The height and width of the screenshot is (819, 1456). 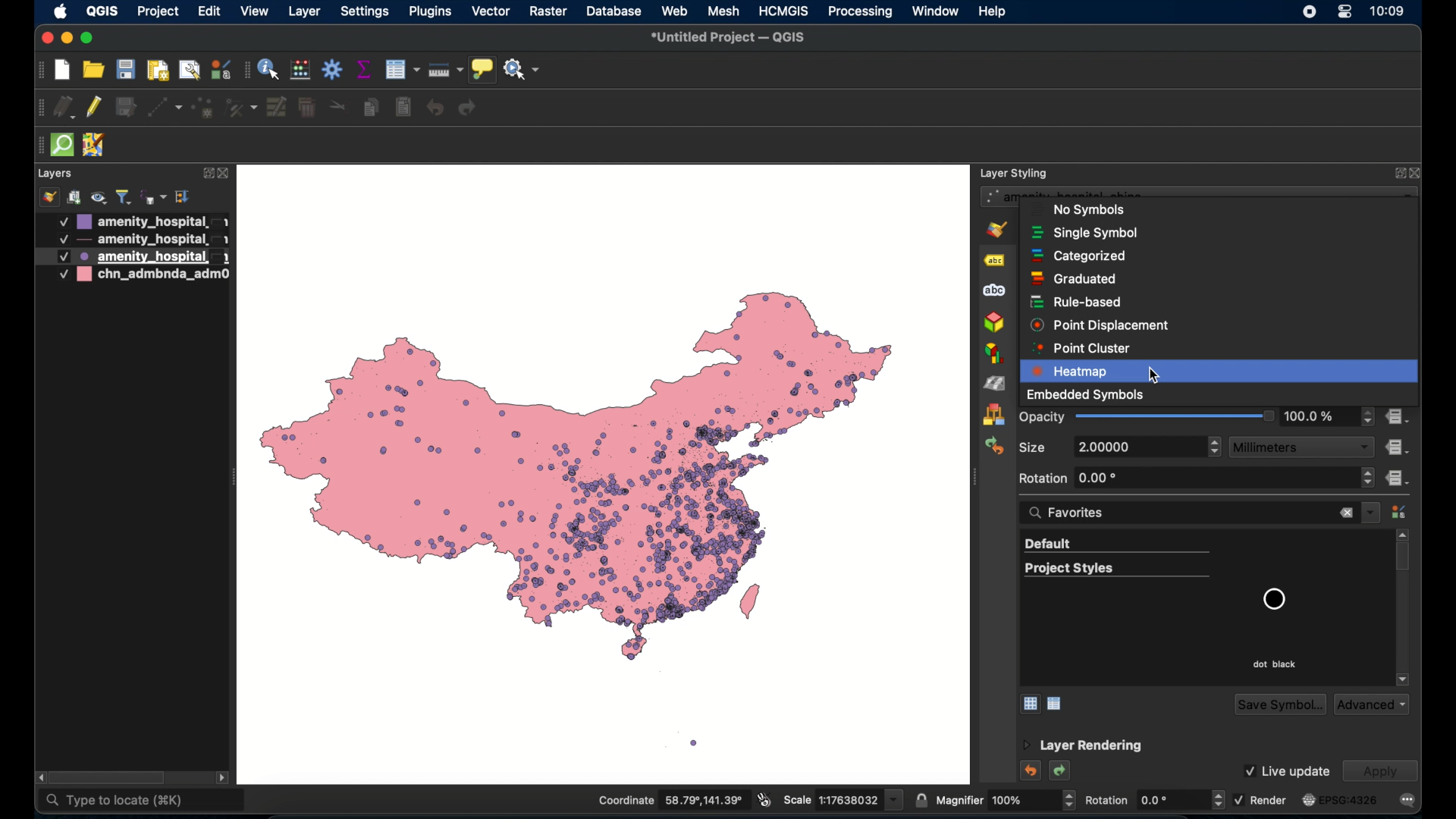 What do you see at coordinates (95, 108) in the screenshot?
I see `toggle editing` at bounding box center [95, 108].